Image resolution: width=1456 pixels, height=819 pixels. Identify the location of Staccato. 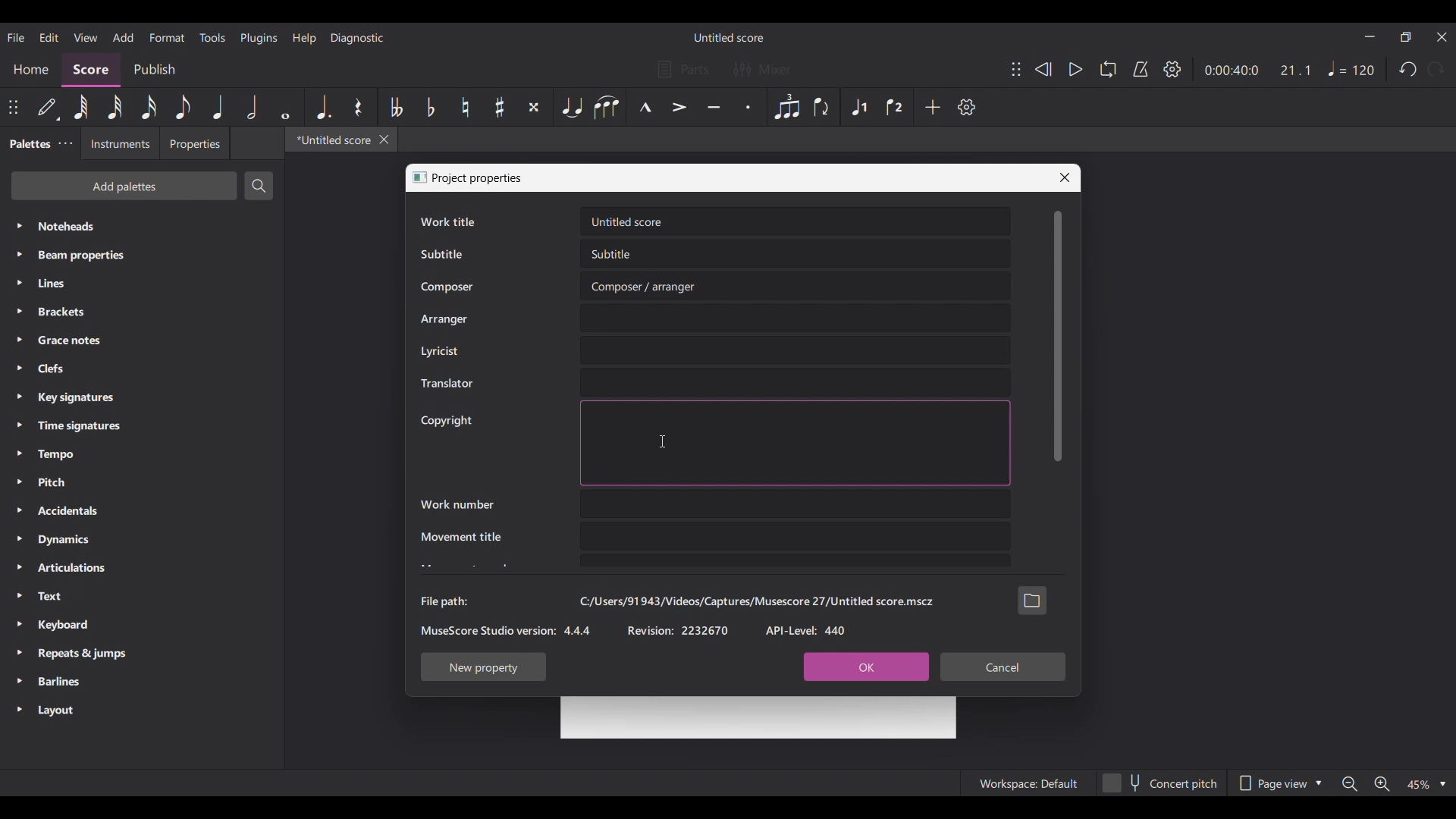
(748, 107).